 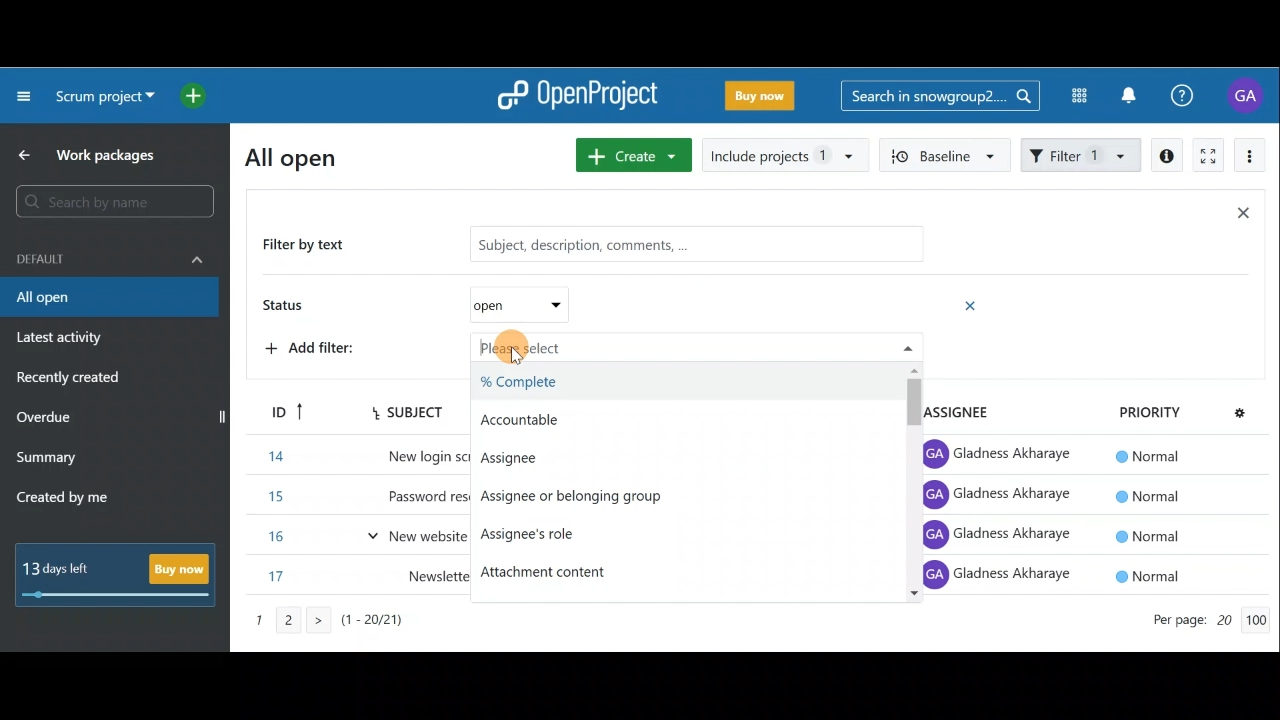 I want to click on Buy now, so click(x=123, y=576).